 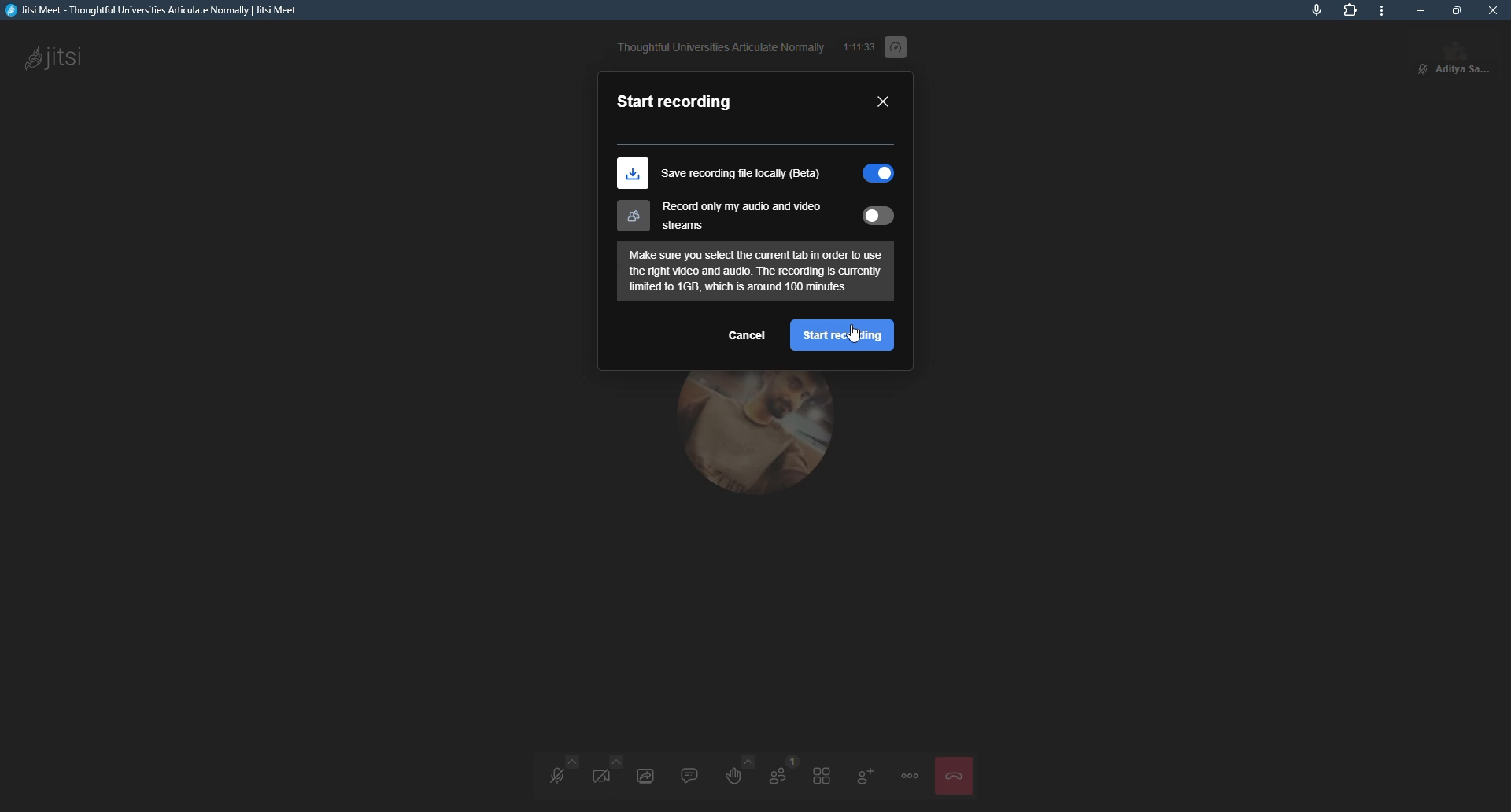 I want to click on performance settings, so click(x=900, y=43).